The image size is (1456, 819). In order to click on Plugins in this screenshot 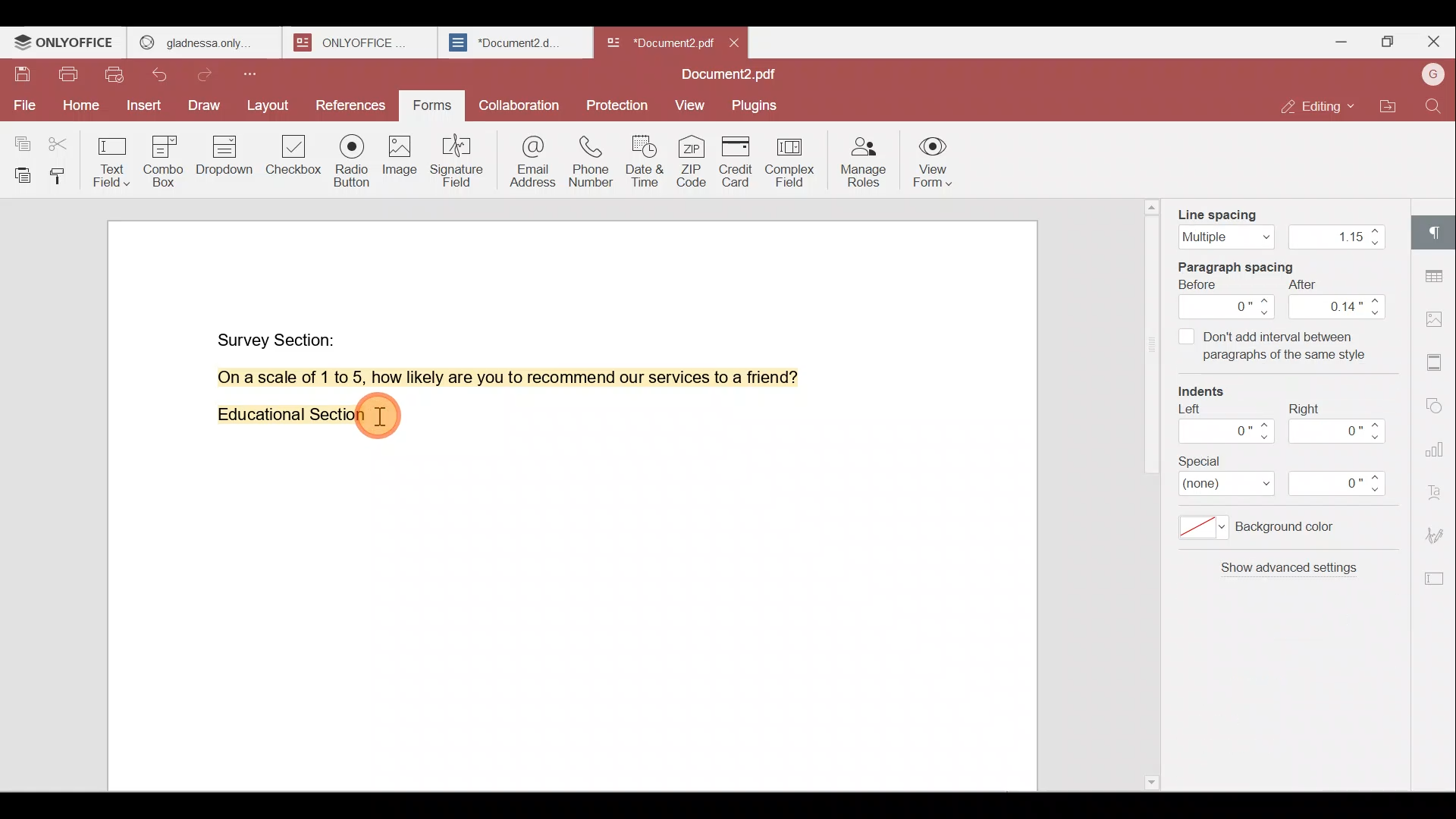, I will do `click(757, 104)`.